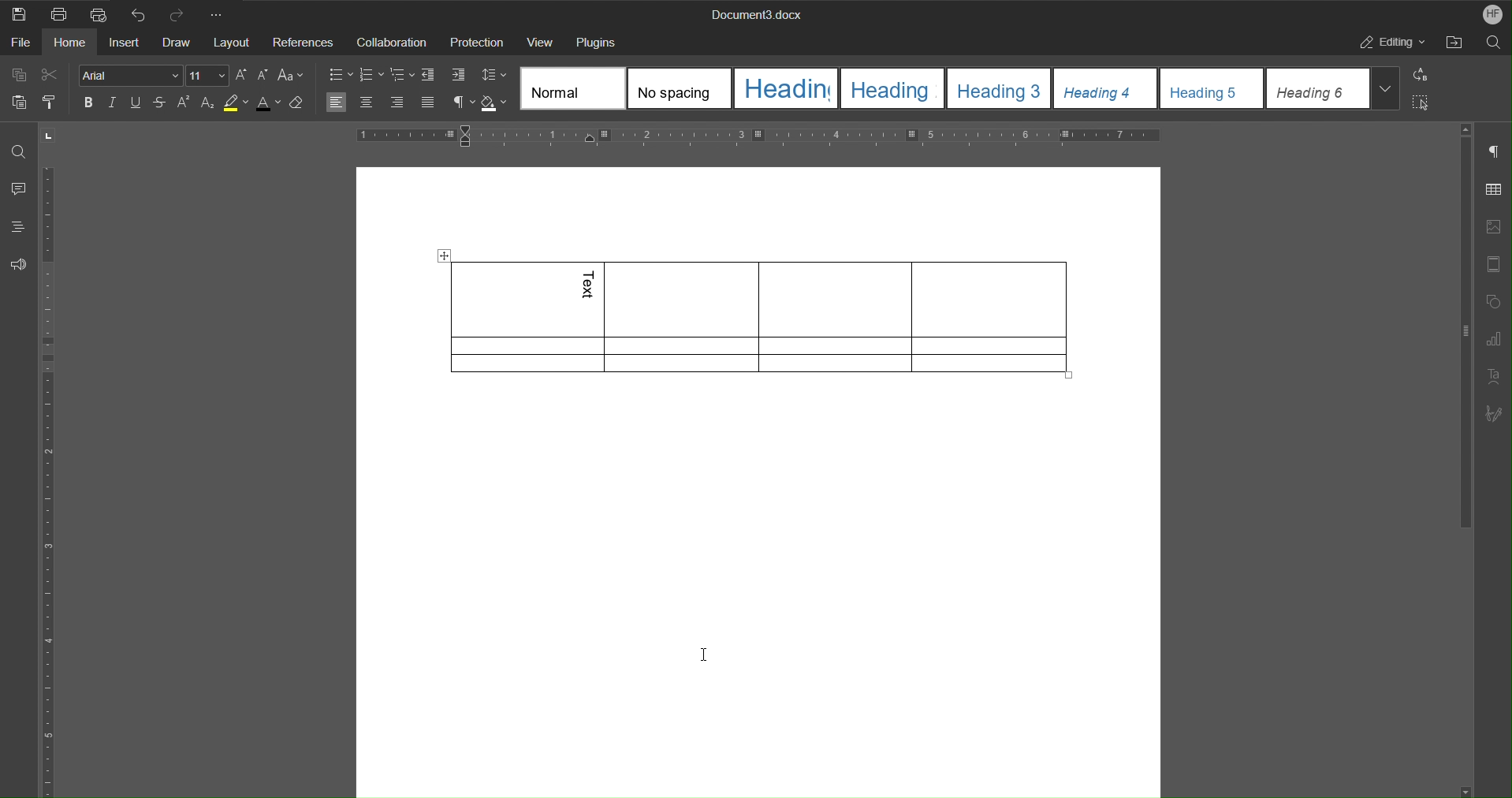 This screenshot has height=798, width=1512. Describe the element at coordinates (1495, 300) in the screenshot. I see `Shape Settings` at that location.